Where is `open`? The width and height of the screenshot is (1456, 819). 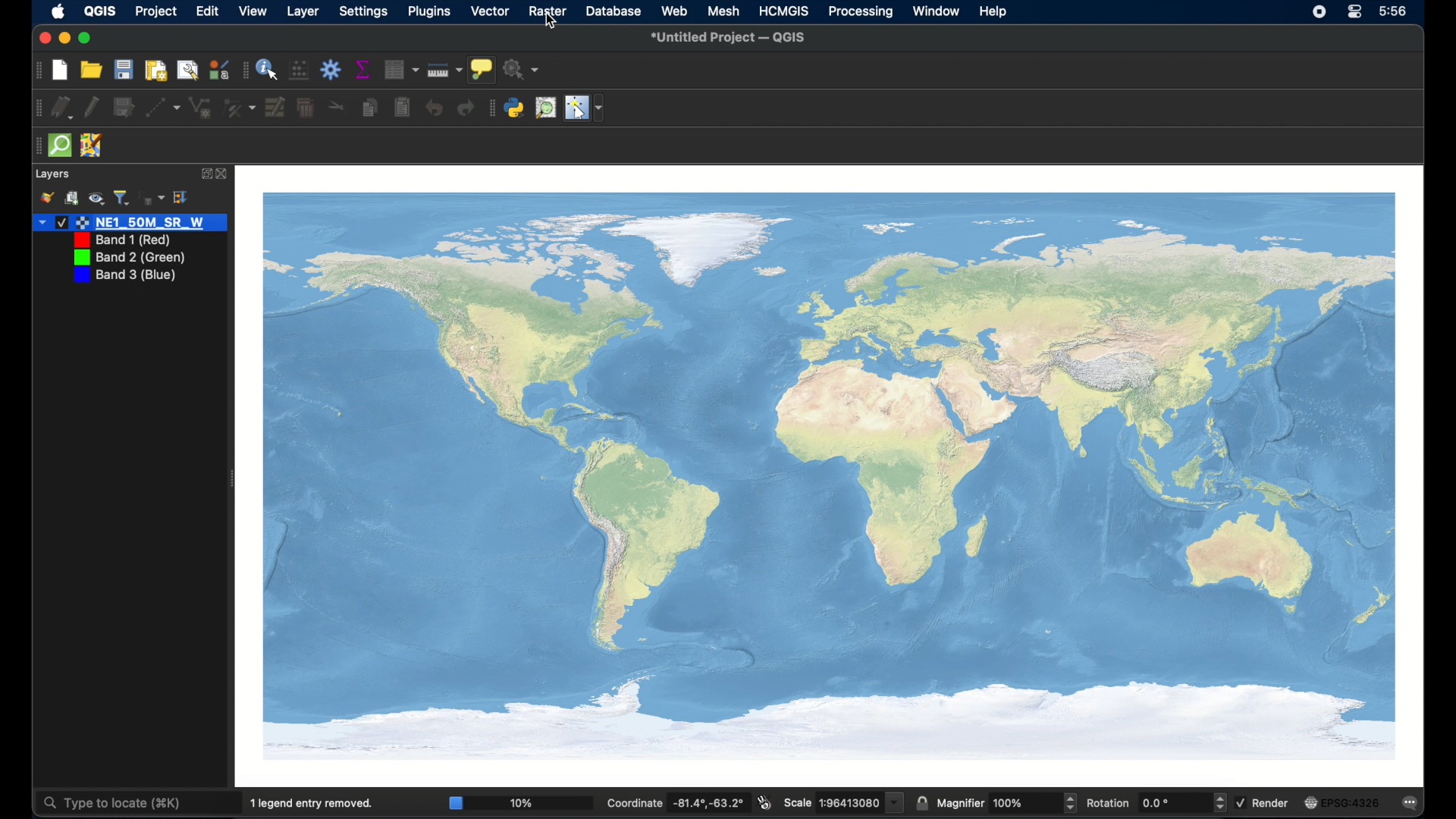
open is located at coordinates (92, 70).